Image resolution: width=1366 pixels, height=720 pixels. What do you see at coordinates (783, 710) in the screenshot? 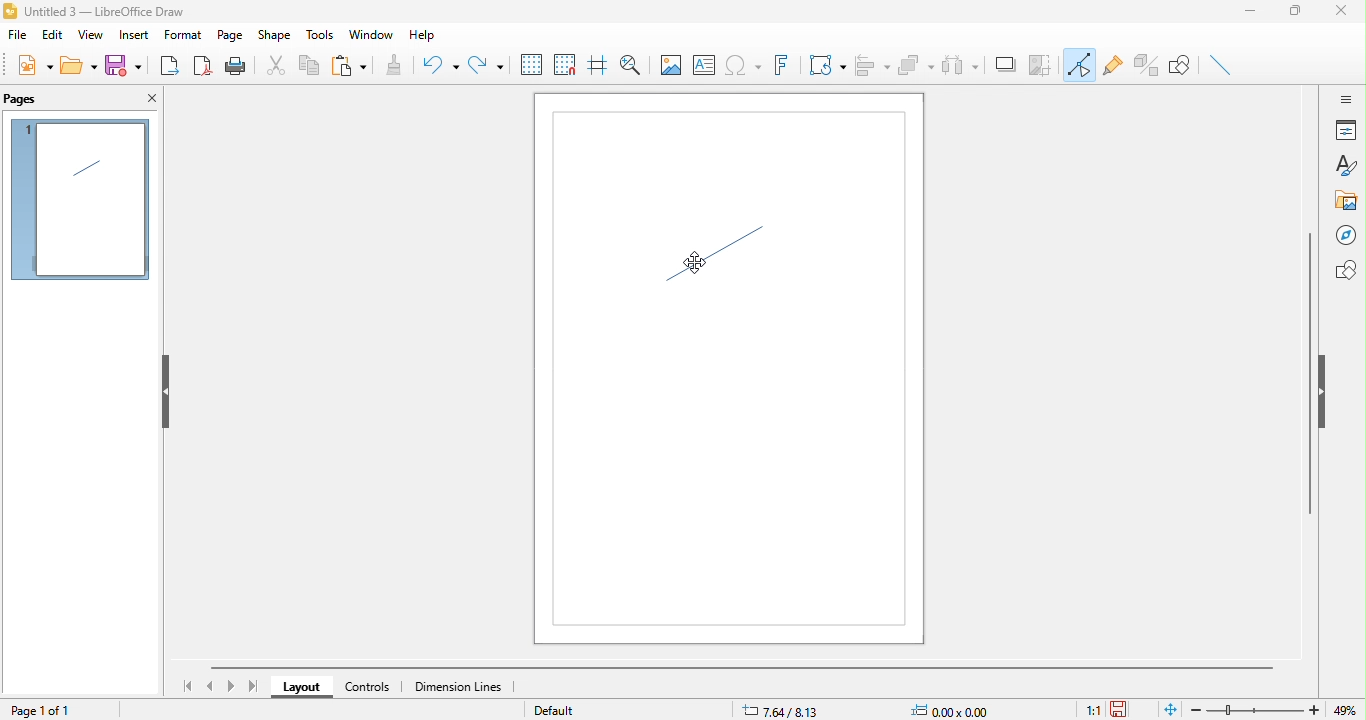
I see `7.64/8.13` at bounding box center [783, 710].